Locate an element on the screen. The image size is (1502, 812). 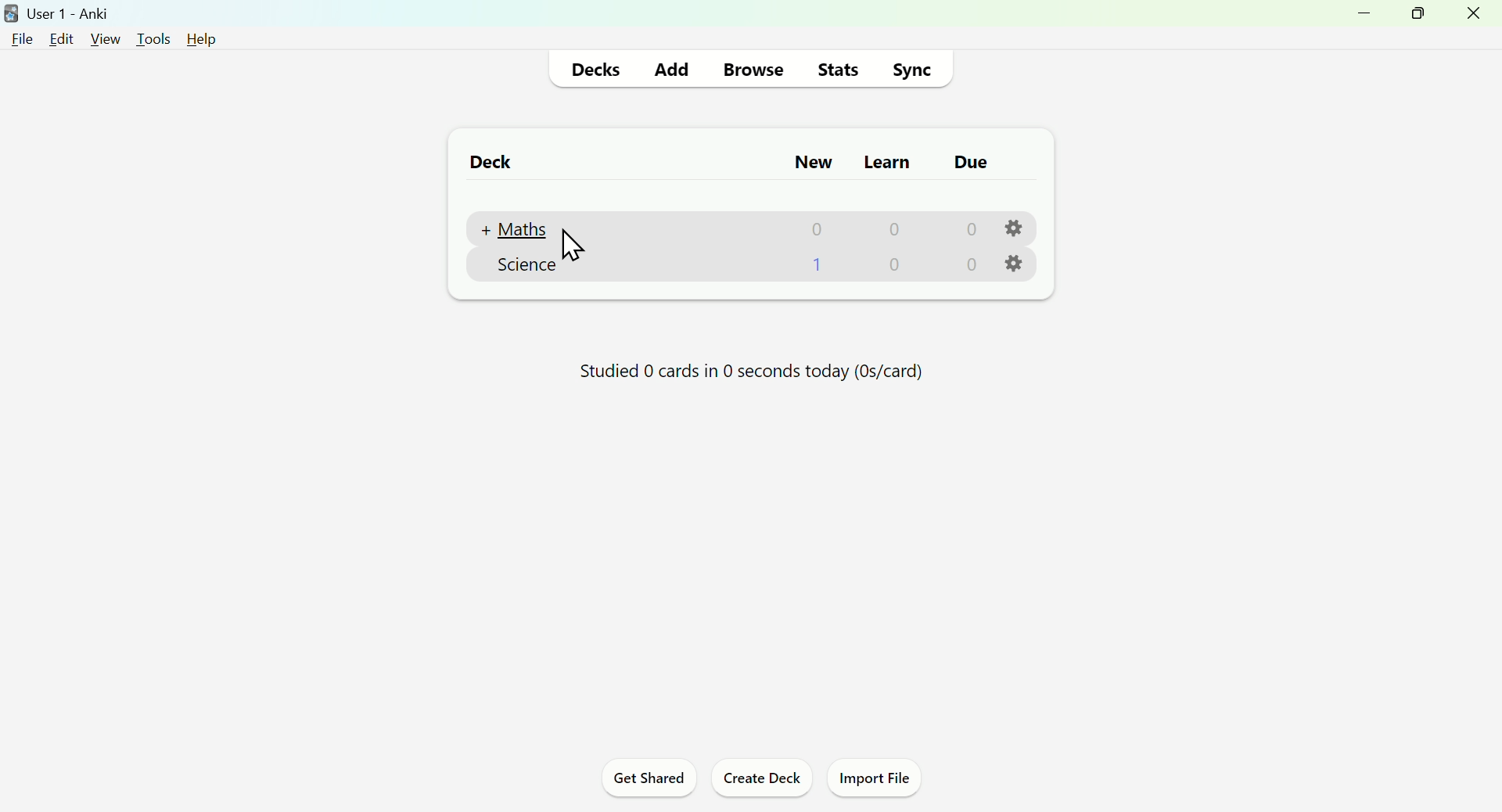
Learn is located at coordinates (889, 161).